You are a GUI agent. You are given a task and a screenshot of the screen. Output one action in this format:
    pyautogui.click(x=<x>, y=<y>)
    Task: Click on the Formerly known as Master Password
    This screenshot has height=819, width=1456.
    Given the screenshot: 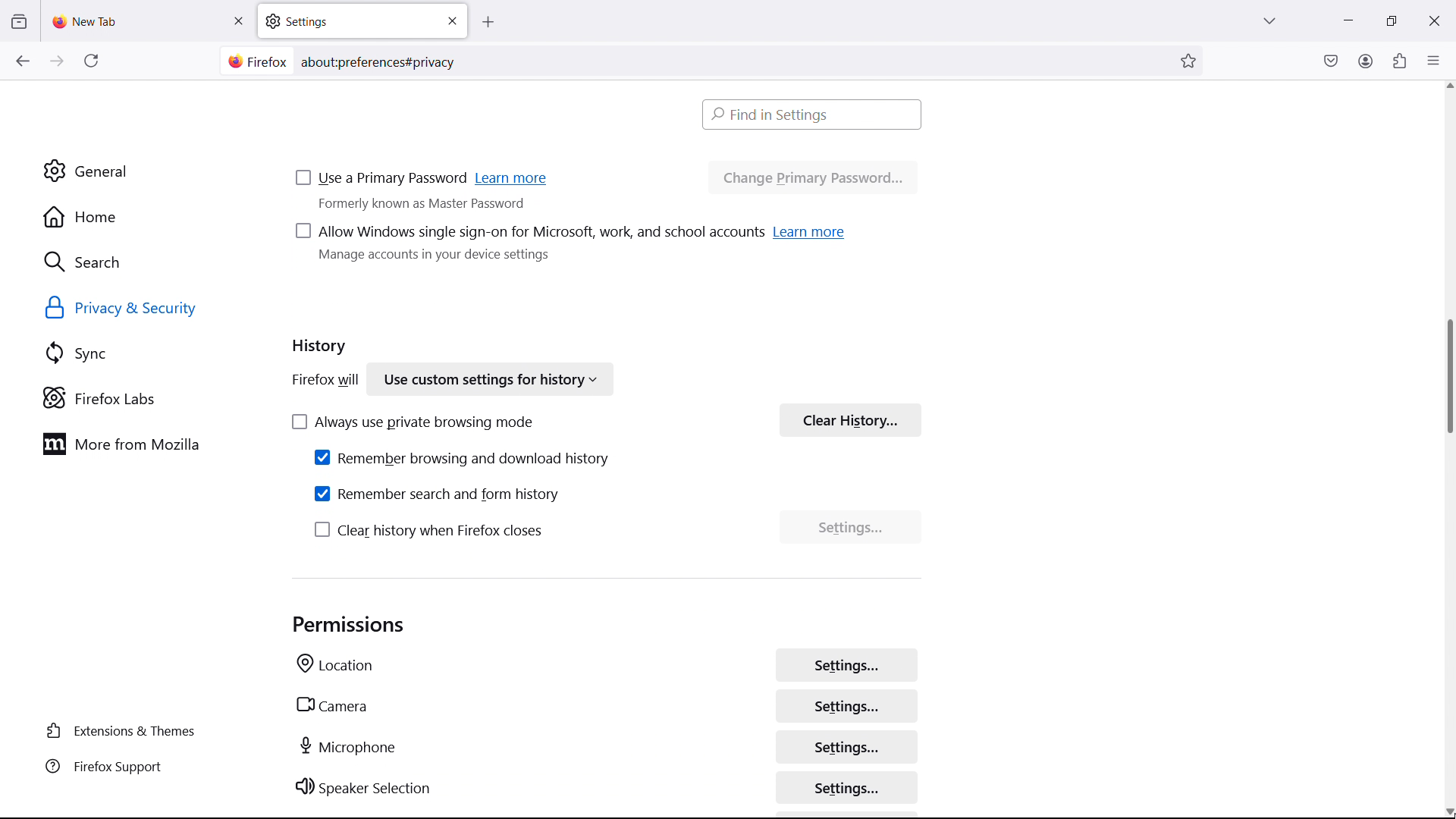 What is the action you would take?
    pyautogui.click(x=444, y=206)
    